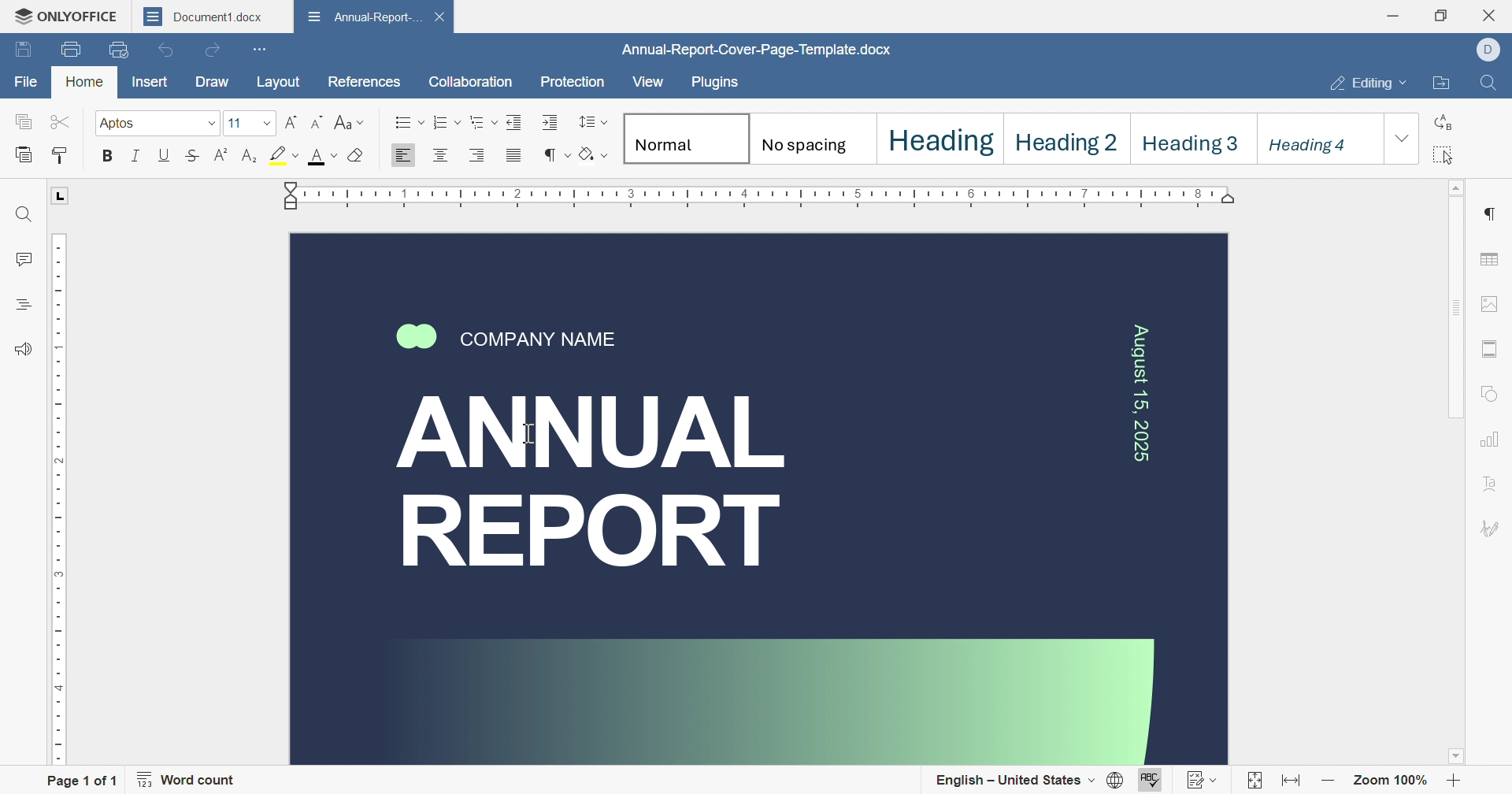  Describe the element at coordinates (159, 122) in the screenshot. I see `font` at that location.